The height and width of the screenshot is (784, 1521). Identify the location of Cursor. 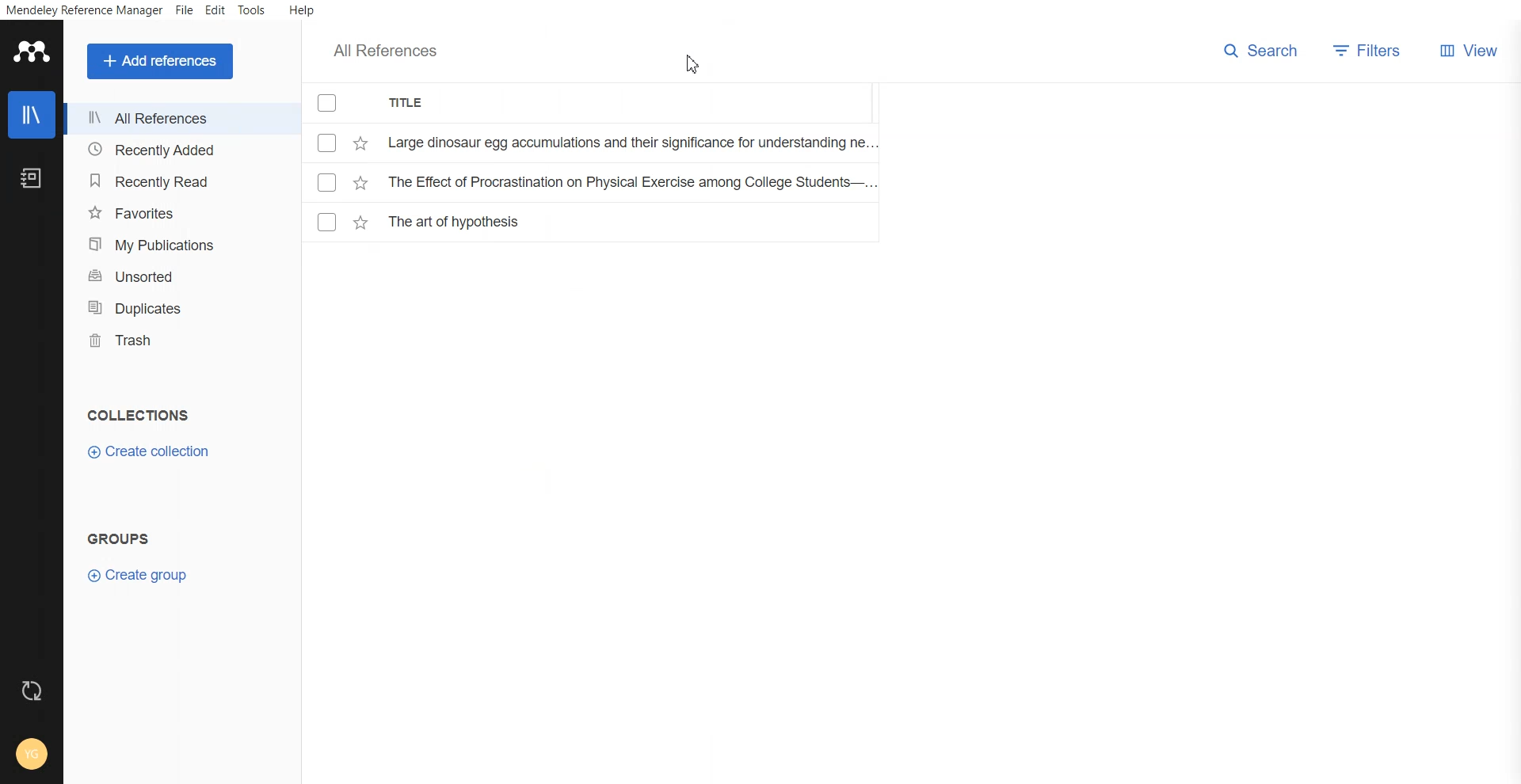
(692, 63).